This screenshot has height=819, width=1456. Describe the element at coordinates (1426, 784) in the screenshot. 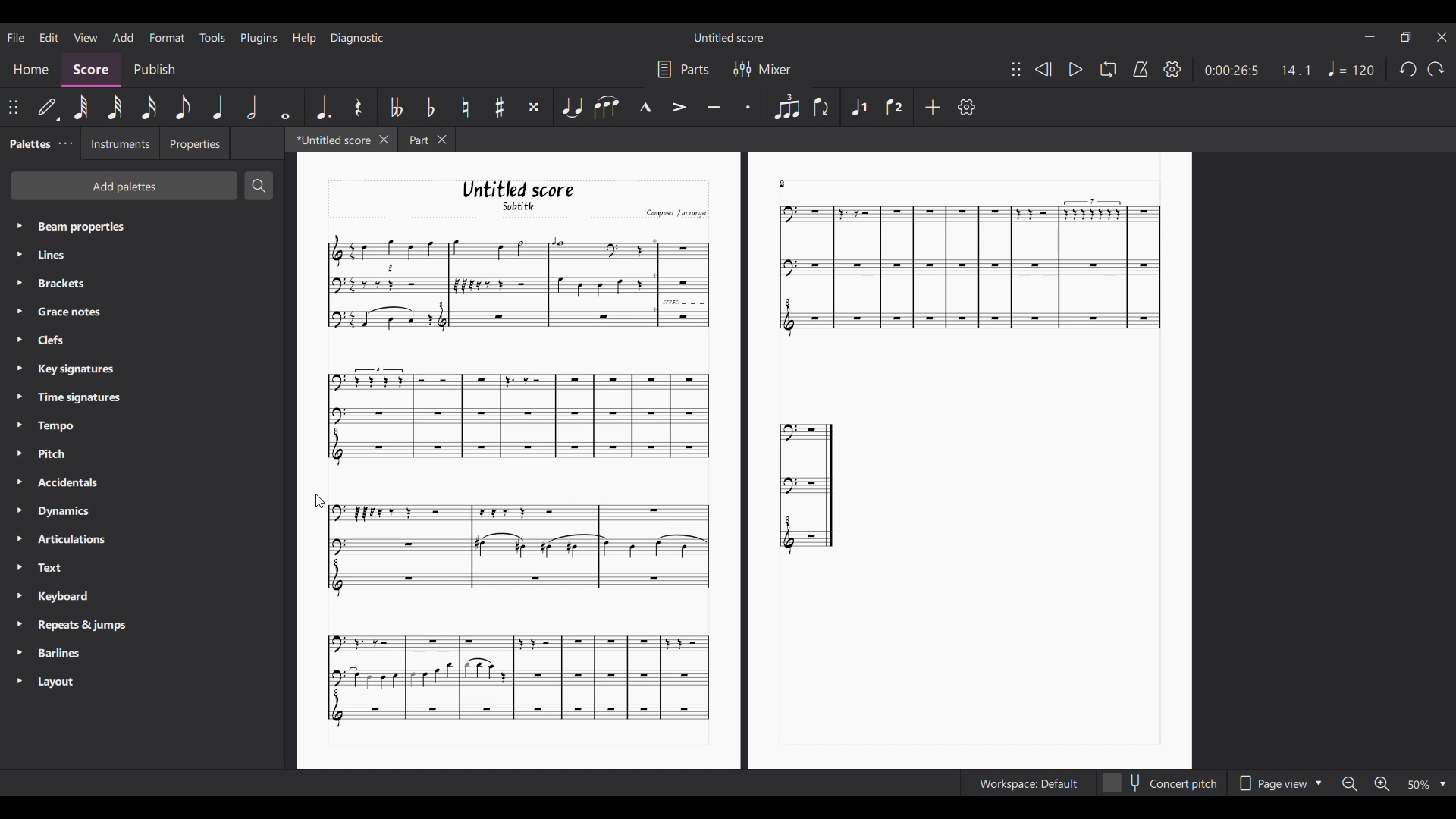

I see `50 %` at that location.